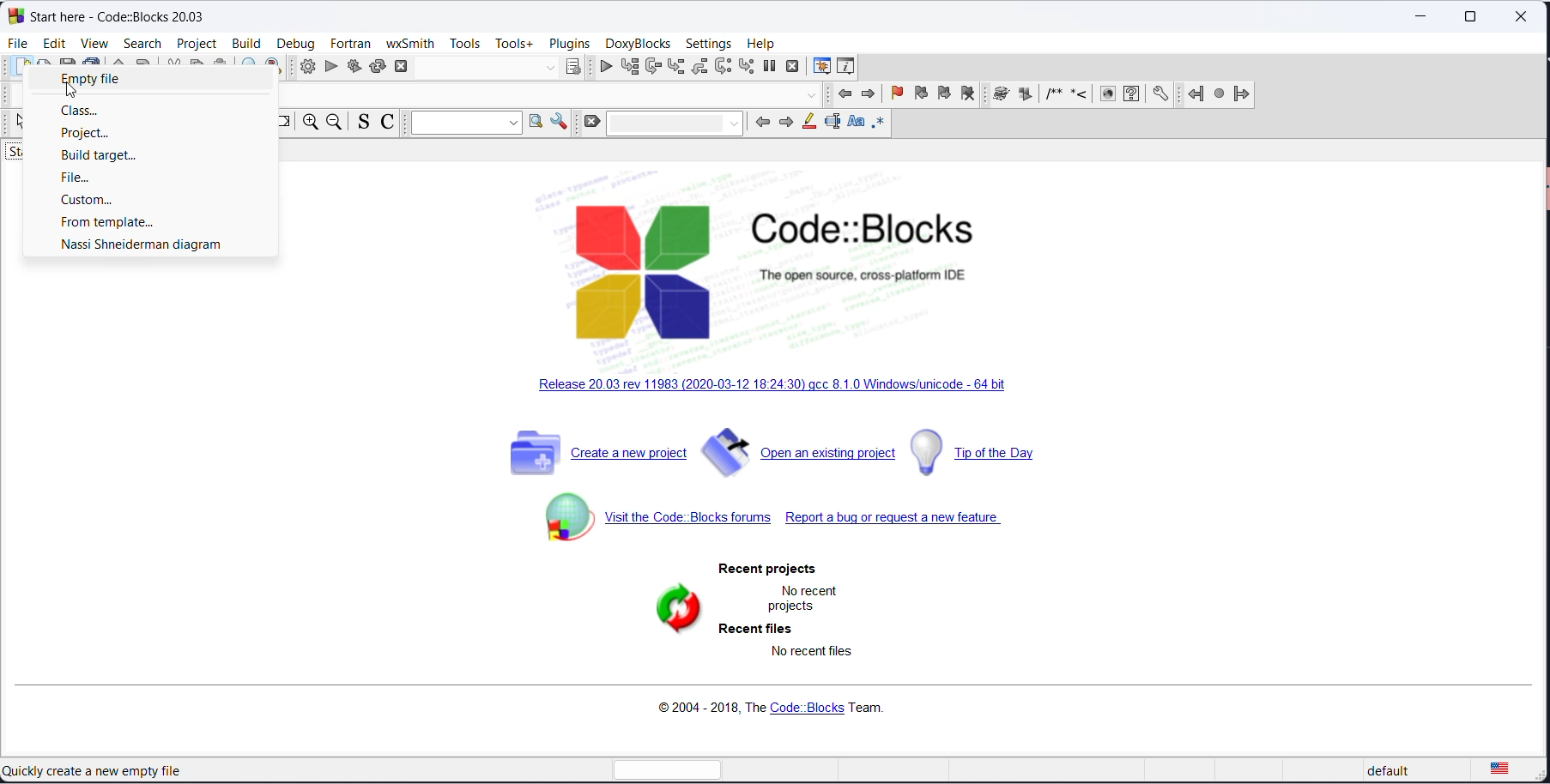 Image resolution: width=1550 pixels, height=784 pixels. I want to click on Project, so click(197, 44).